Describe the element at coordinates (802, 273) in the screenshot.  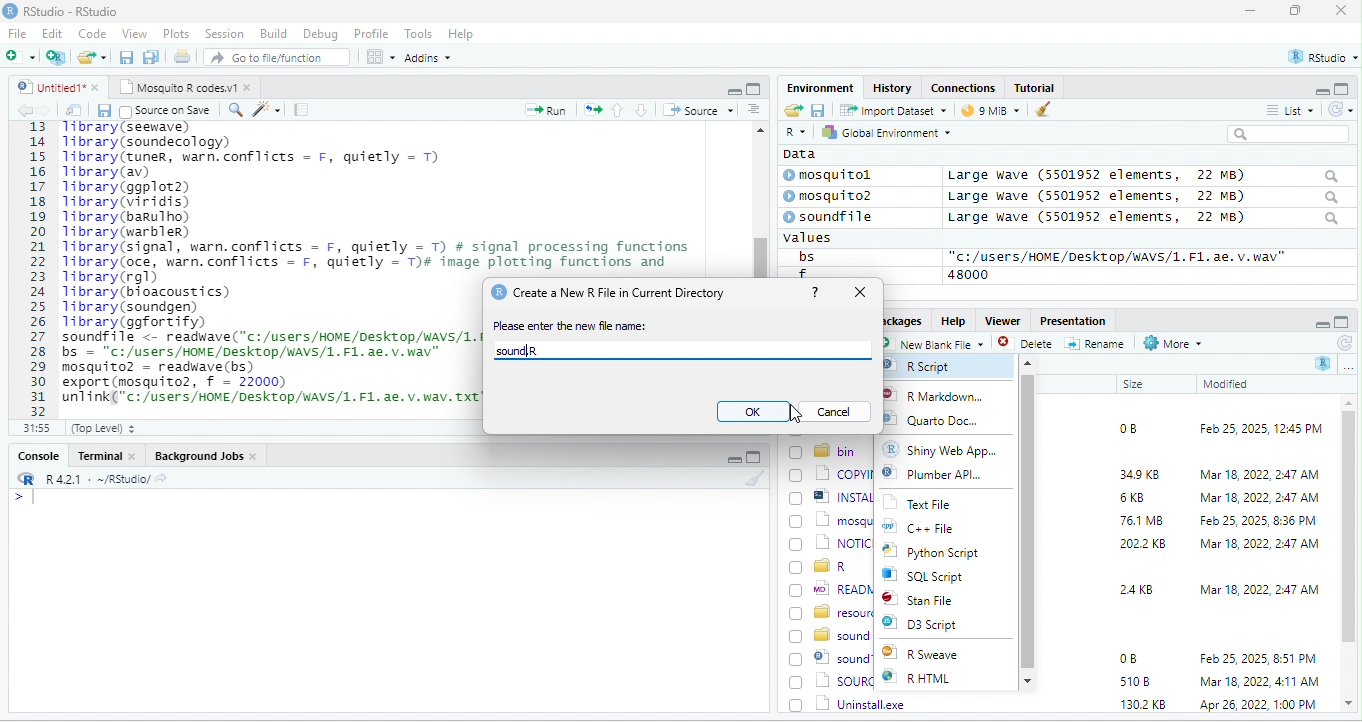
I see `f` at that location.